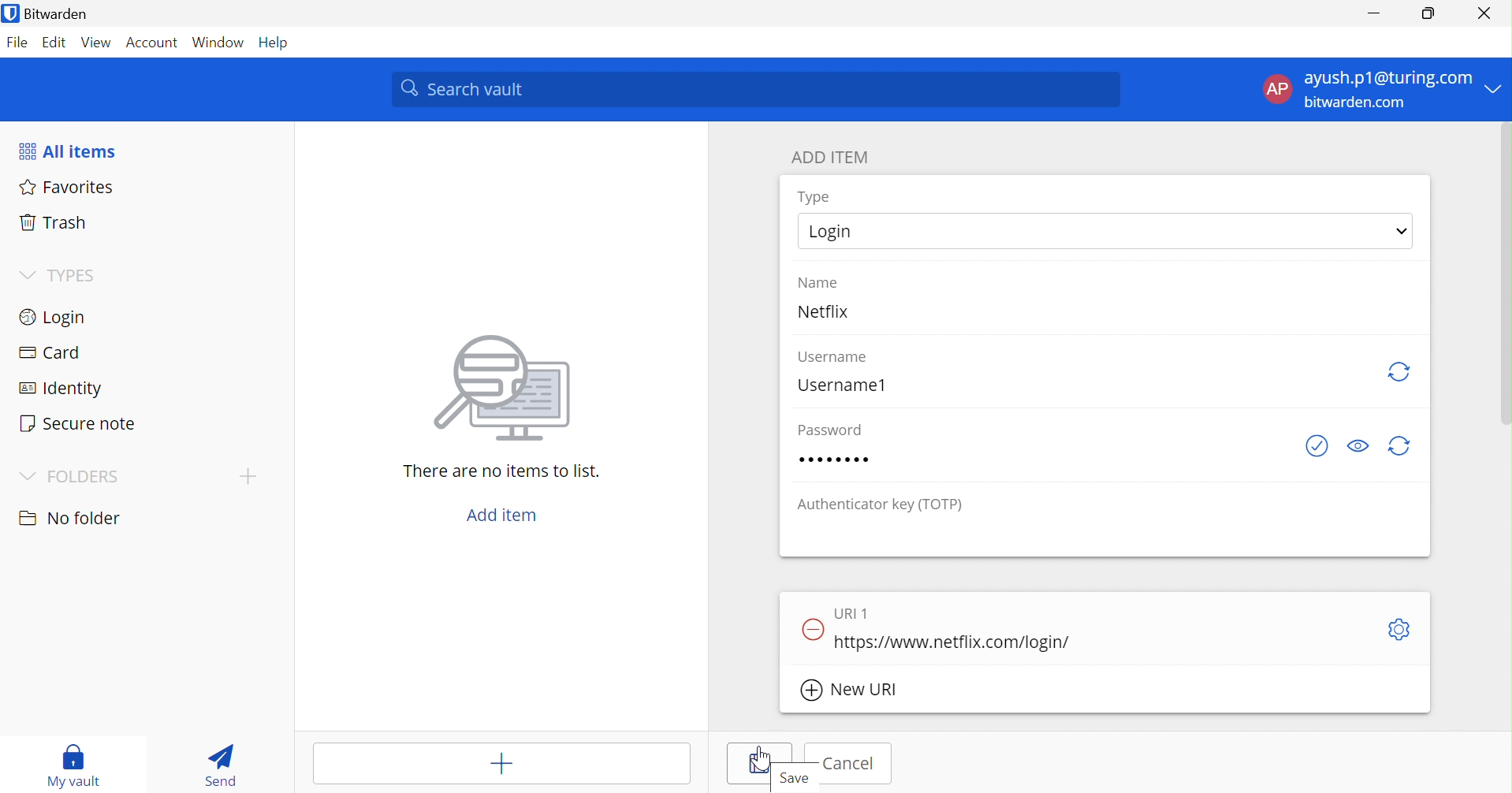  What do you see at coordinates (761, 758) in the screenshot?
I see `Cursor` at bounding box center [761, 758].